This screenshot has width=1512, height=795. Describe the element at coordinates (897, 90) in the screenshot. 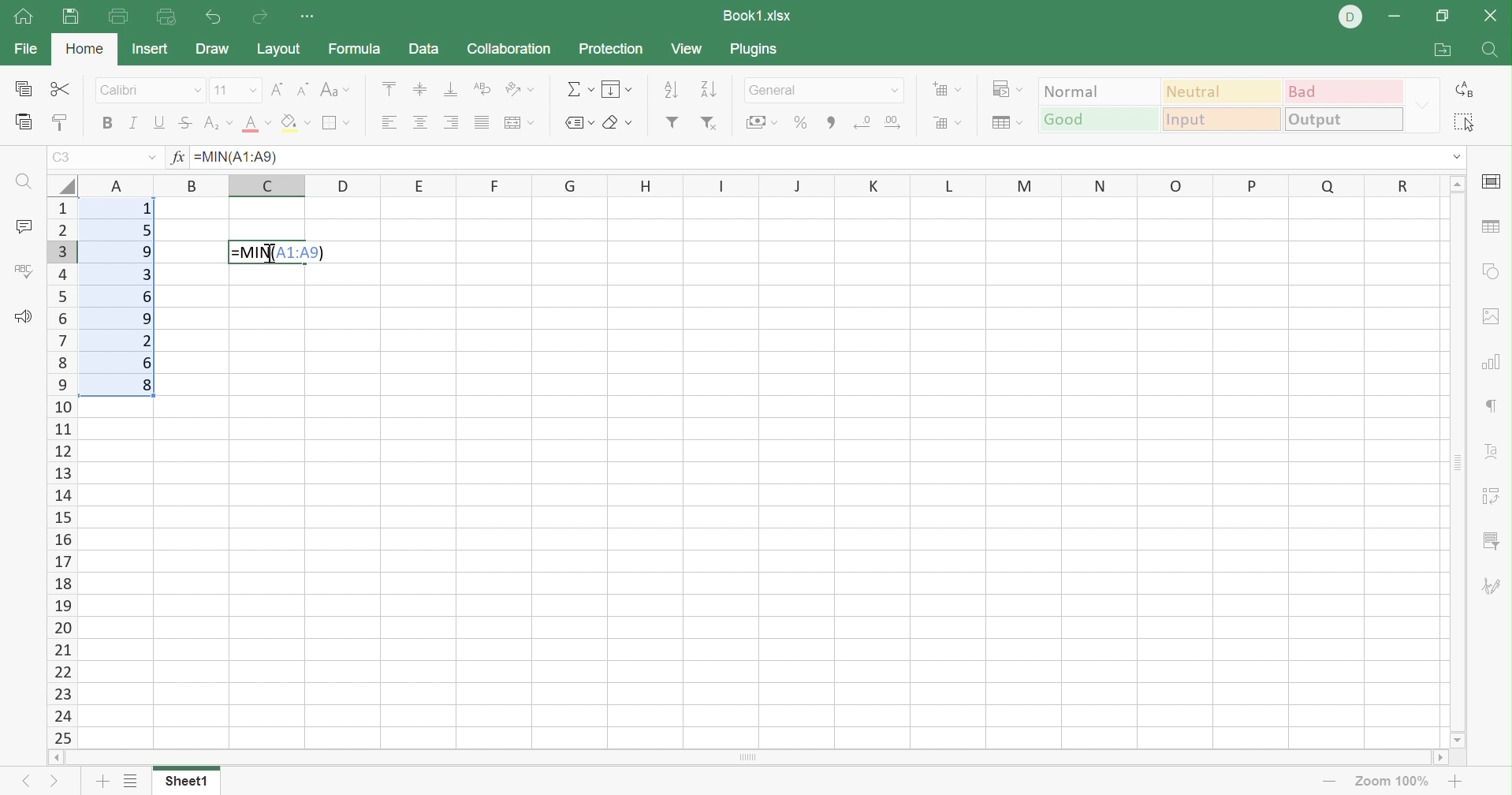

I see `Drop down` at that location.